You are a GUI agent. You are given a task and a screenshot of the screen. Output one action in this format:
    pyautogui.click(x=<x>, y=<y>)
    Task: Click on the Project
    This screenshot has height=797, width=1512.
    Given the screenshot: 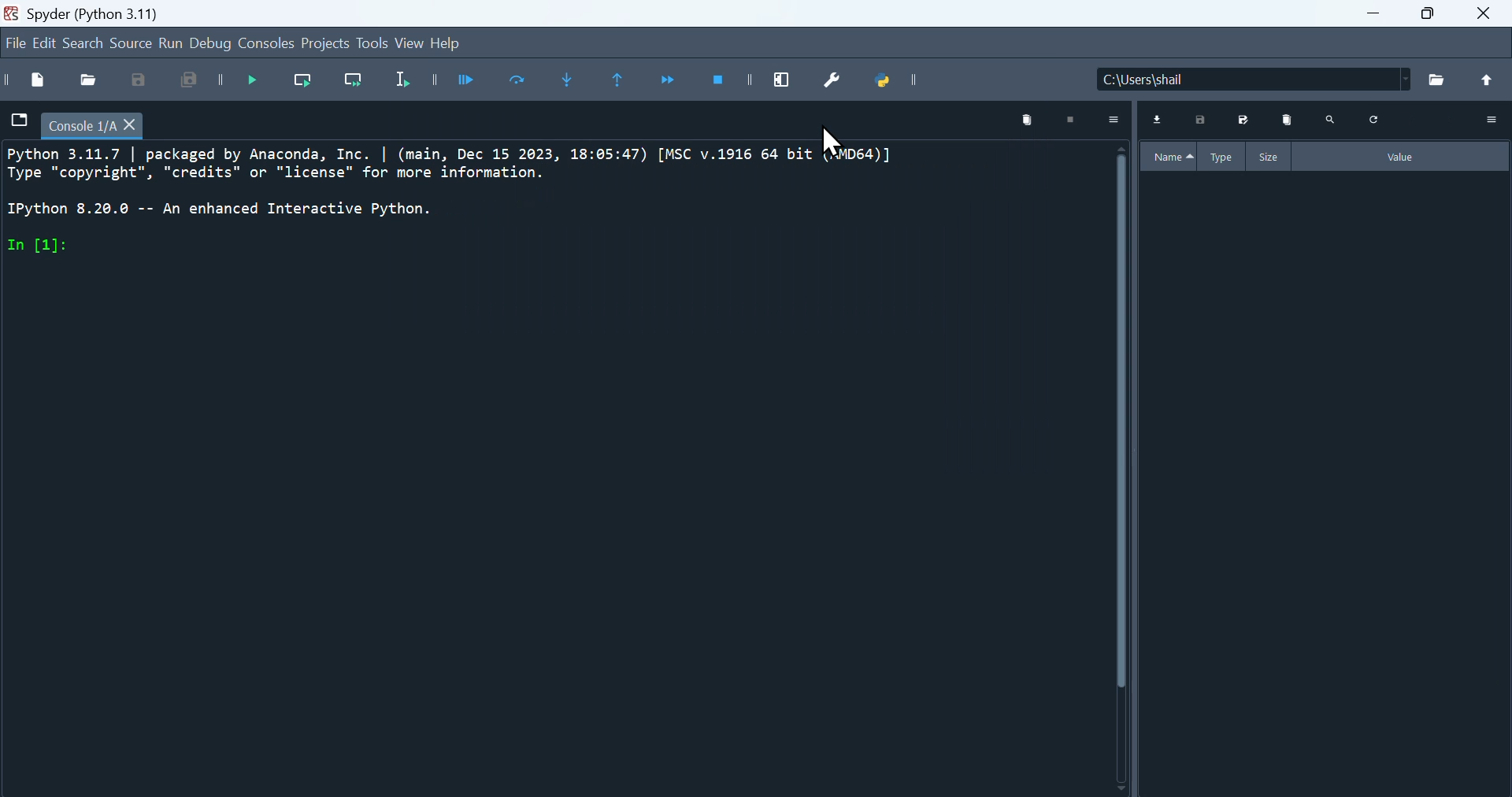 What is the action you would take?
    pyautogui.click(x=325, y=46)
    